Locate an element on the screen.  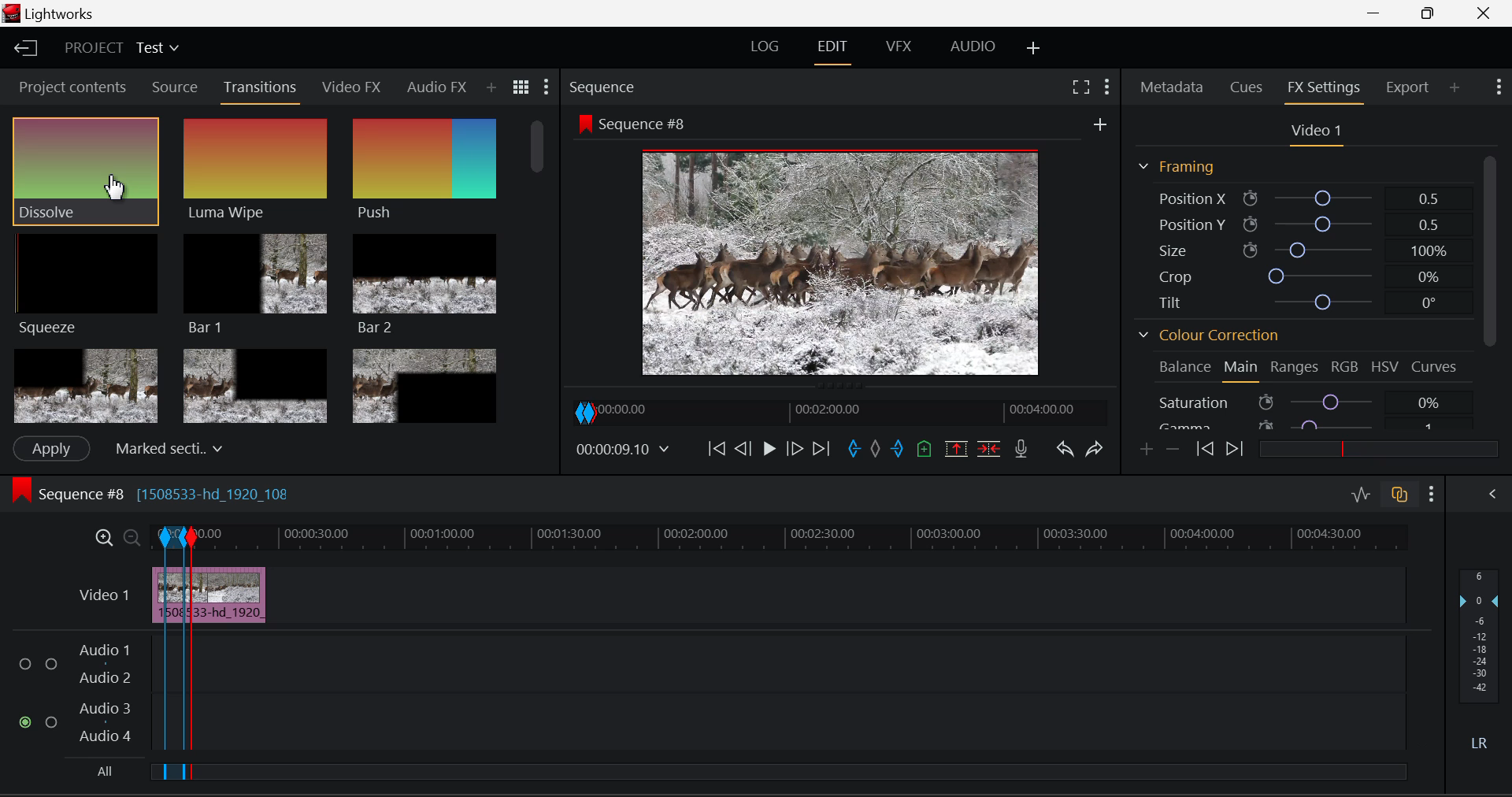
Video 1 Settings is located at coordinates (1314, 132).